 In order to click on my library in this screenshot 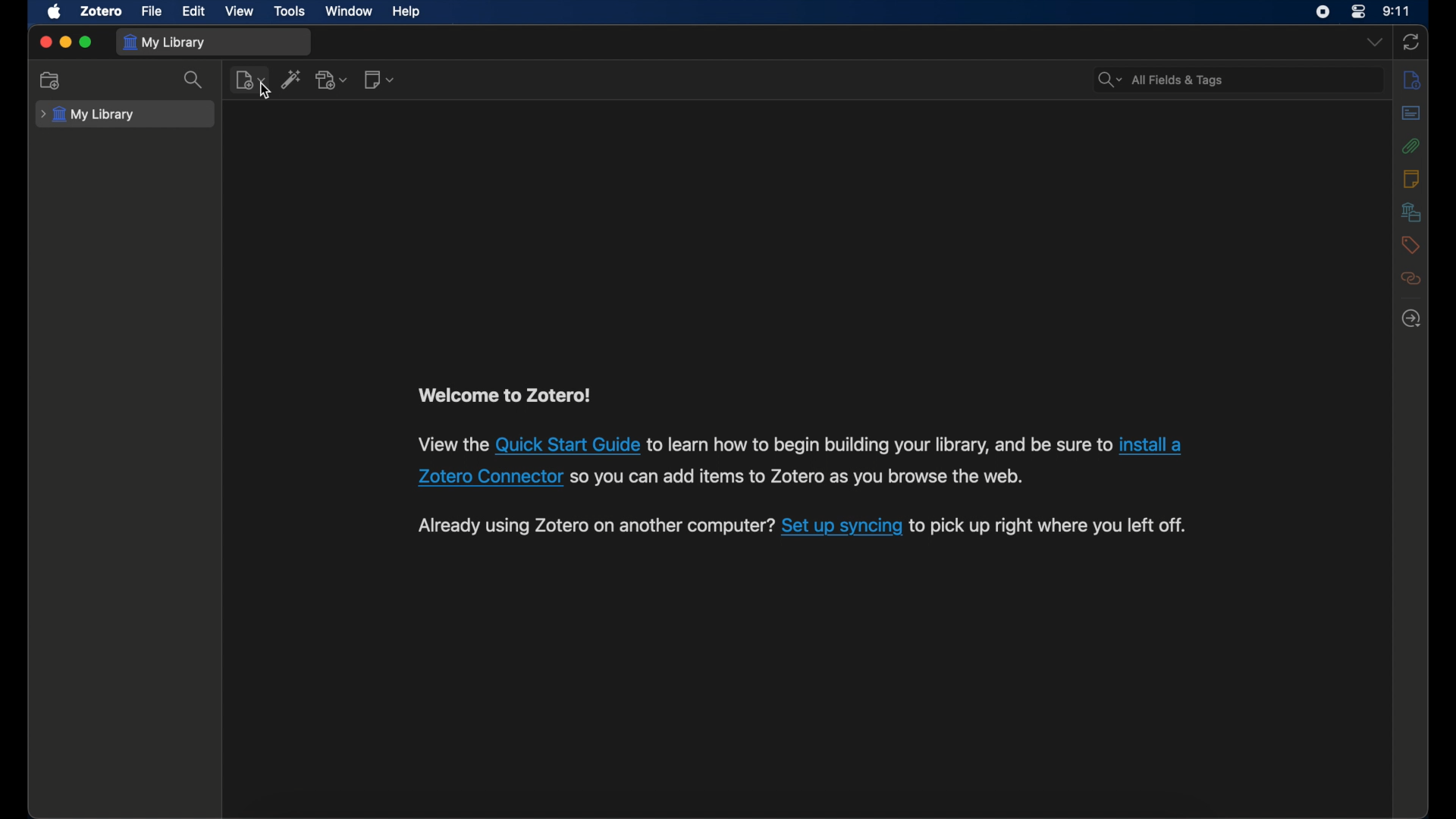, I will do `click(90, 115)`.